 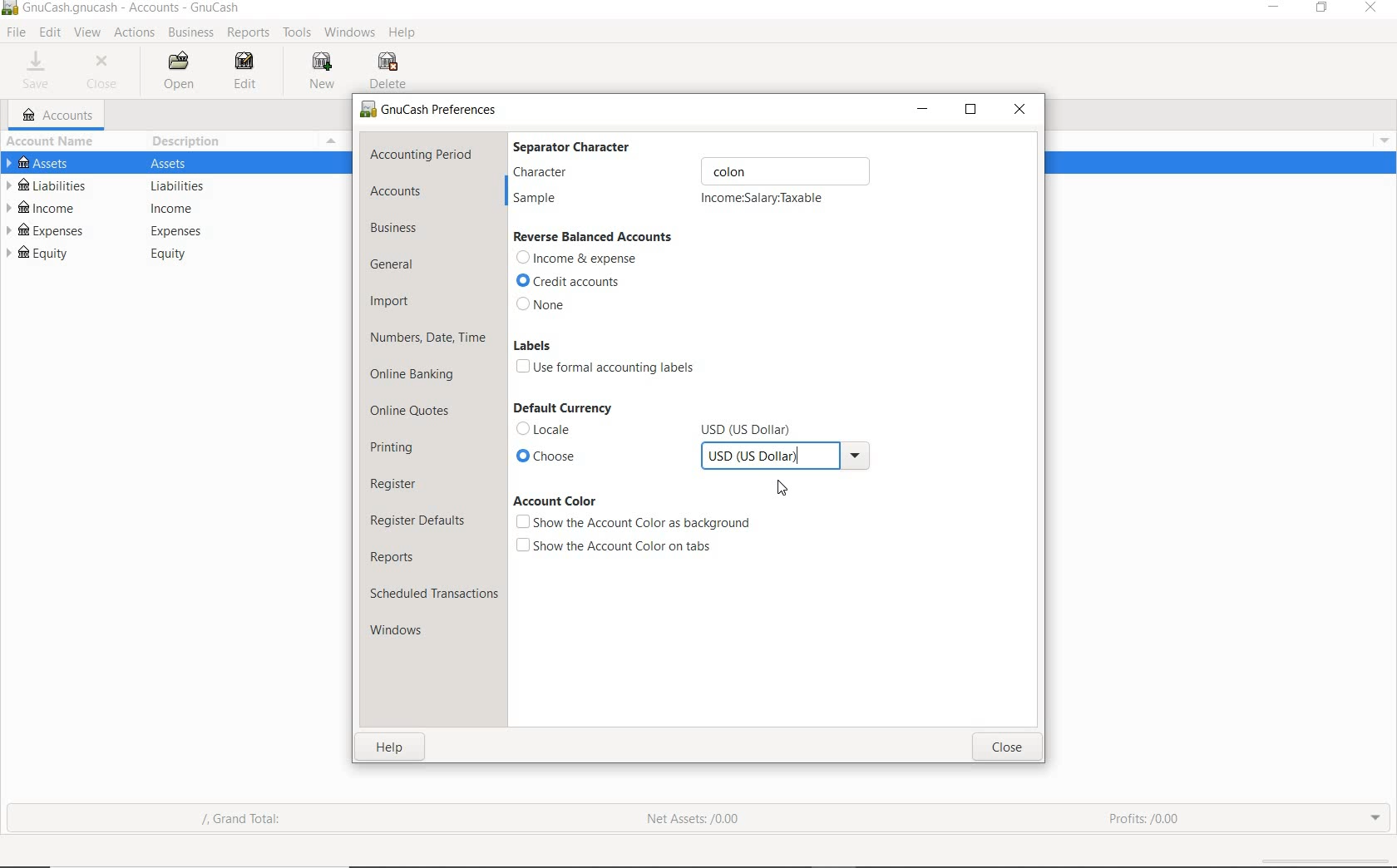 I want to click on reports, so click(x=397, y=556).